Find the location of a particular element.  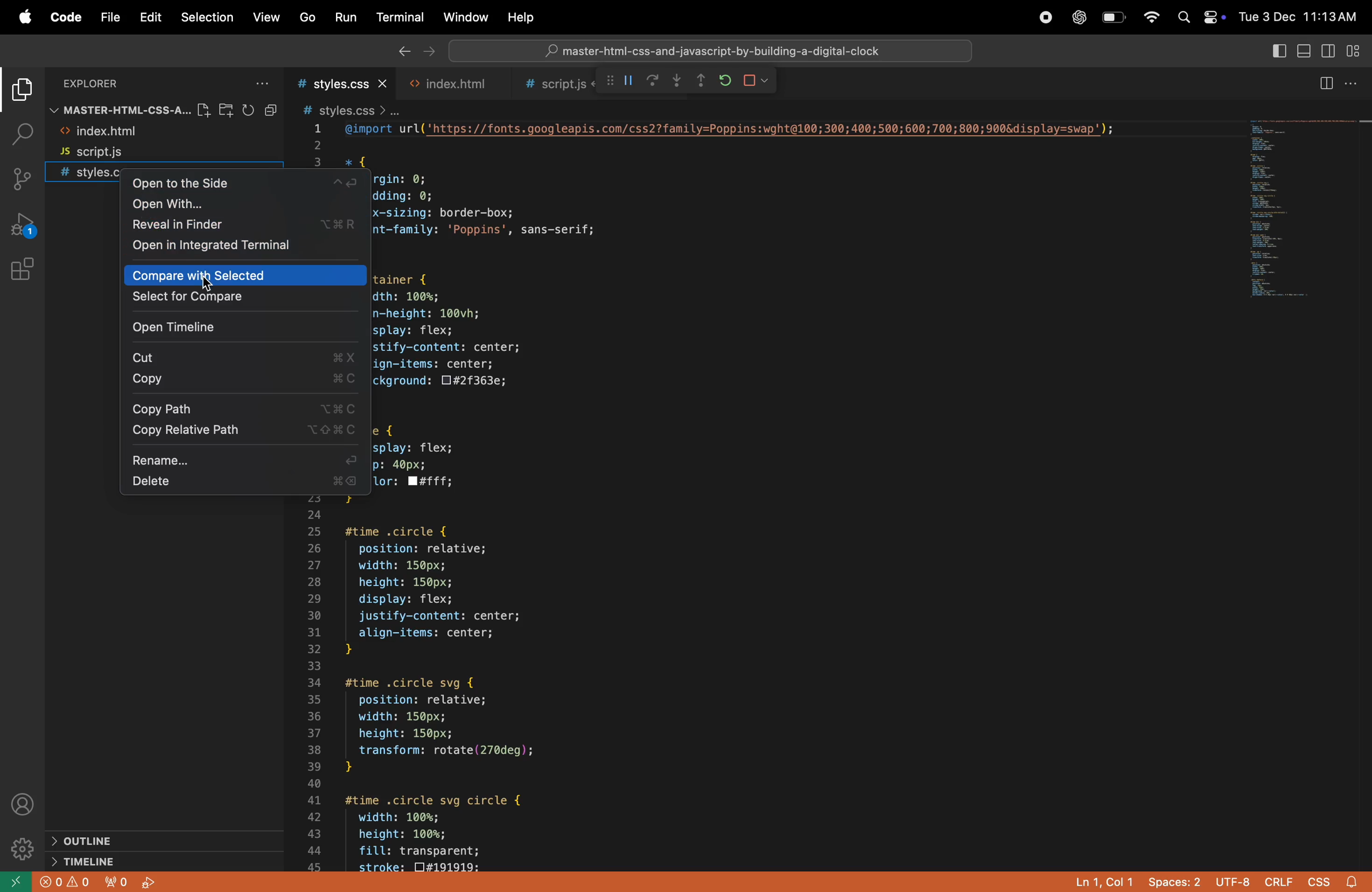

source control is located at coordinates (24, 179).